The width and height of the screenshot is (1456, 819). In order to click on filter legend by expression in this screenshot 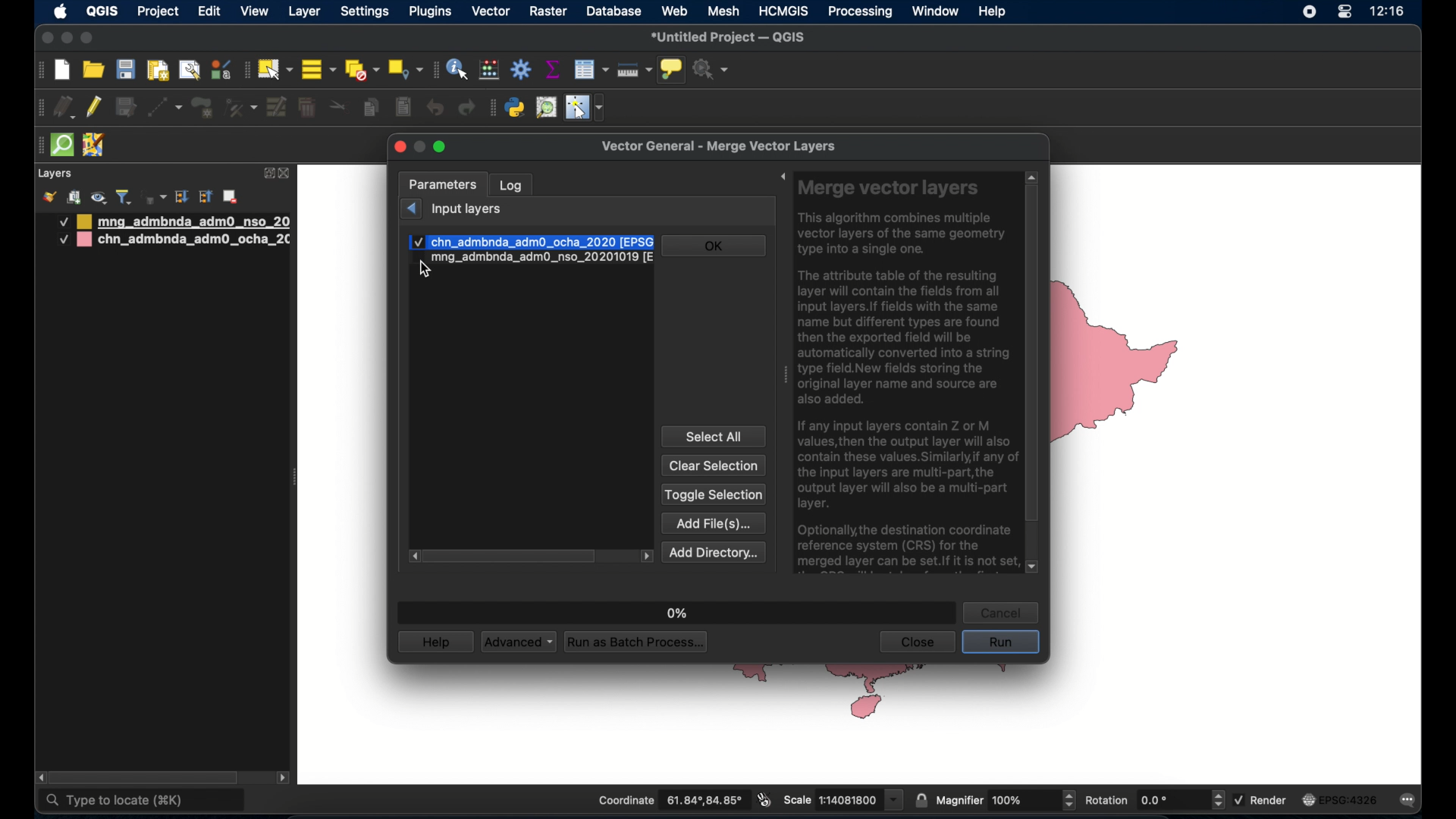, I will do `click(152, 196)`.